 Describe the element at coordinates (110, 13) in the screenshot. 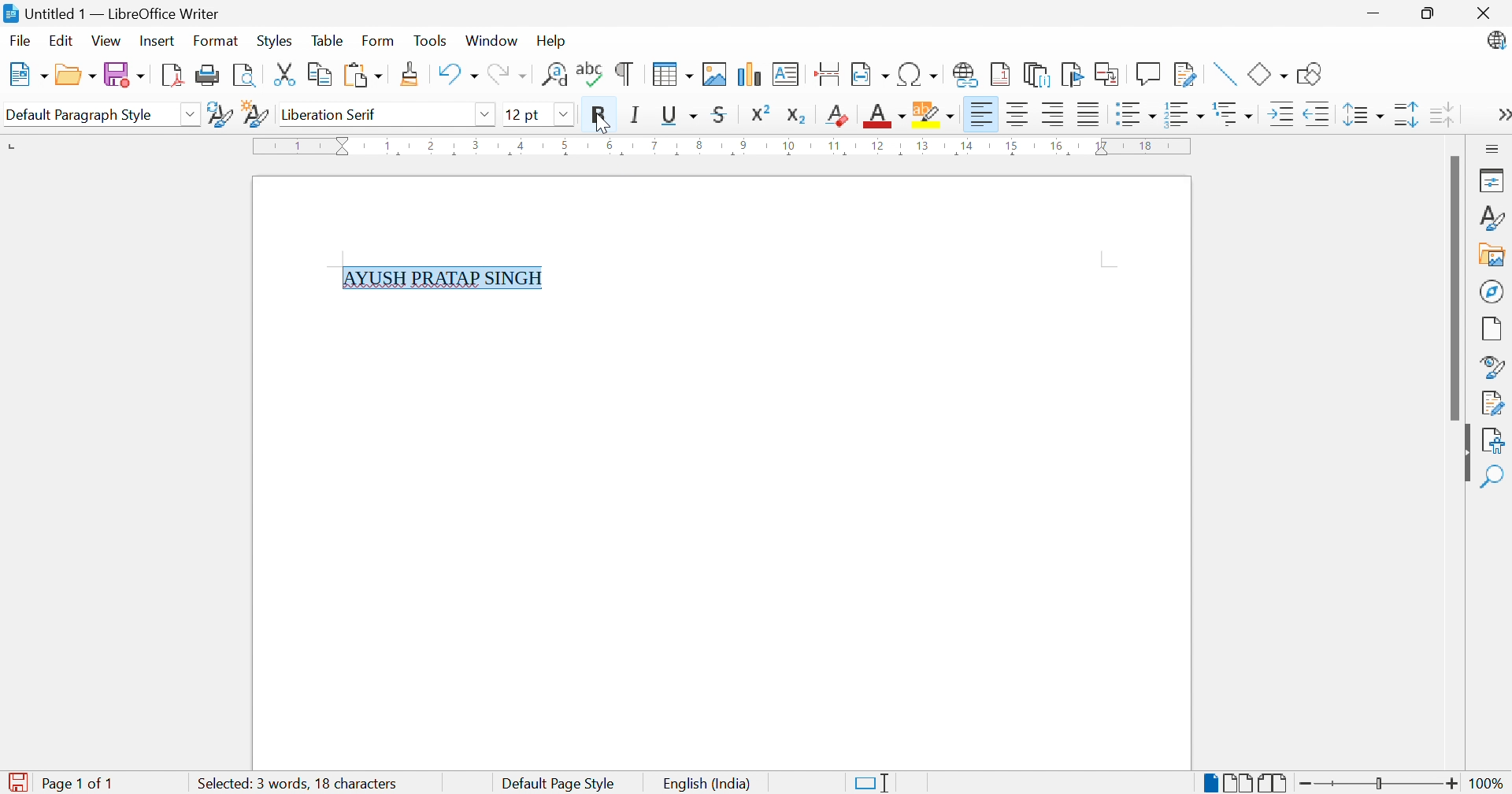

I see `Untitled 1 - LibreOffice Writer` at that location.